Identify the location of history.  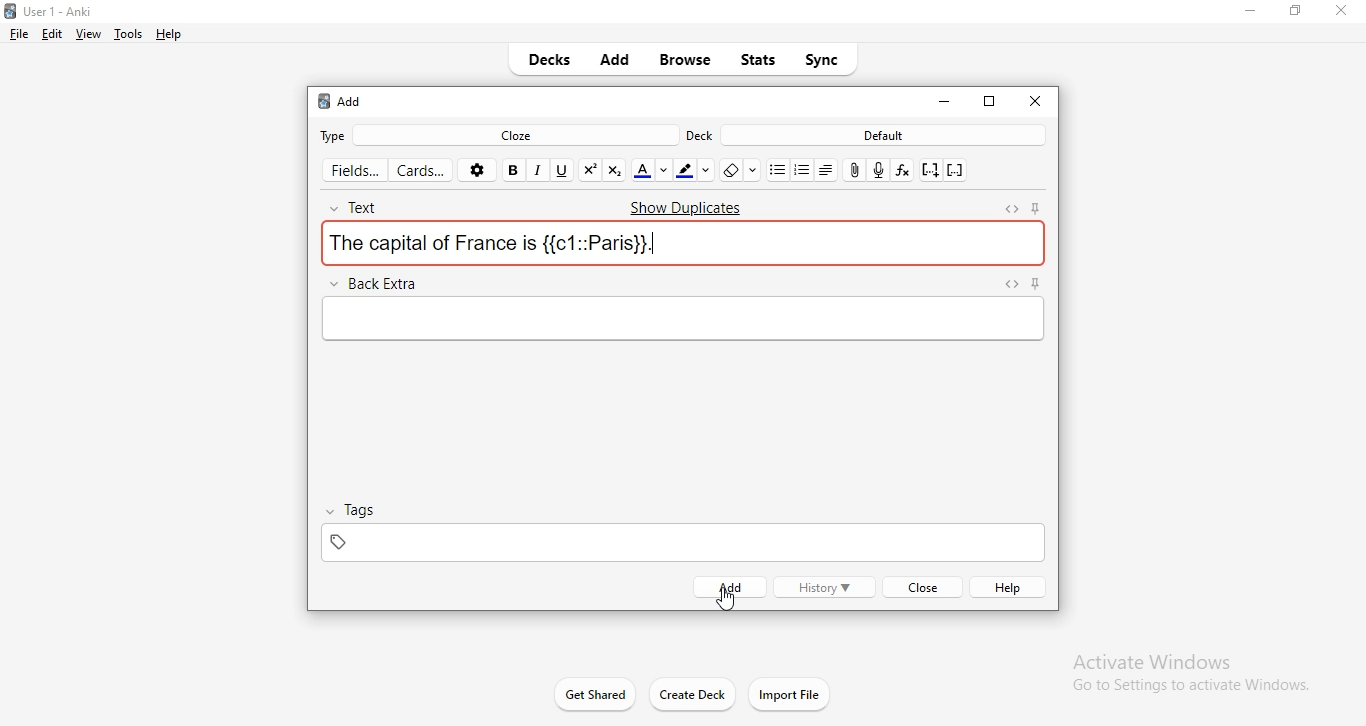
(824, 588).